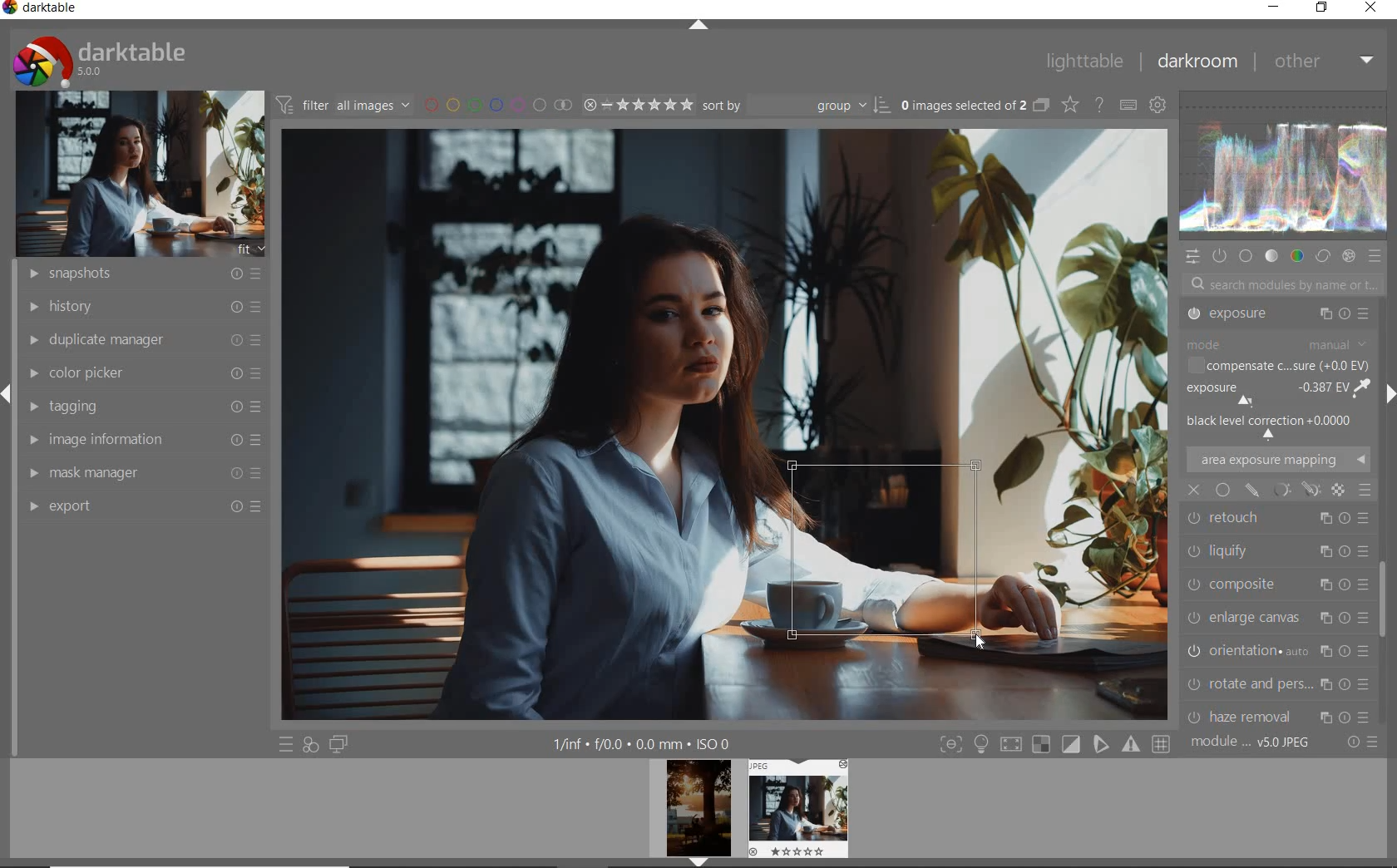 The height and width of the screenshot is (868, 1397). What do you see at coordinates (1099, 105) in the screenshot?
I see `ENABLE FOR ONLINE HELP` at bounding box center [1099, 105].